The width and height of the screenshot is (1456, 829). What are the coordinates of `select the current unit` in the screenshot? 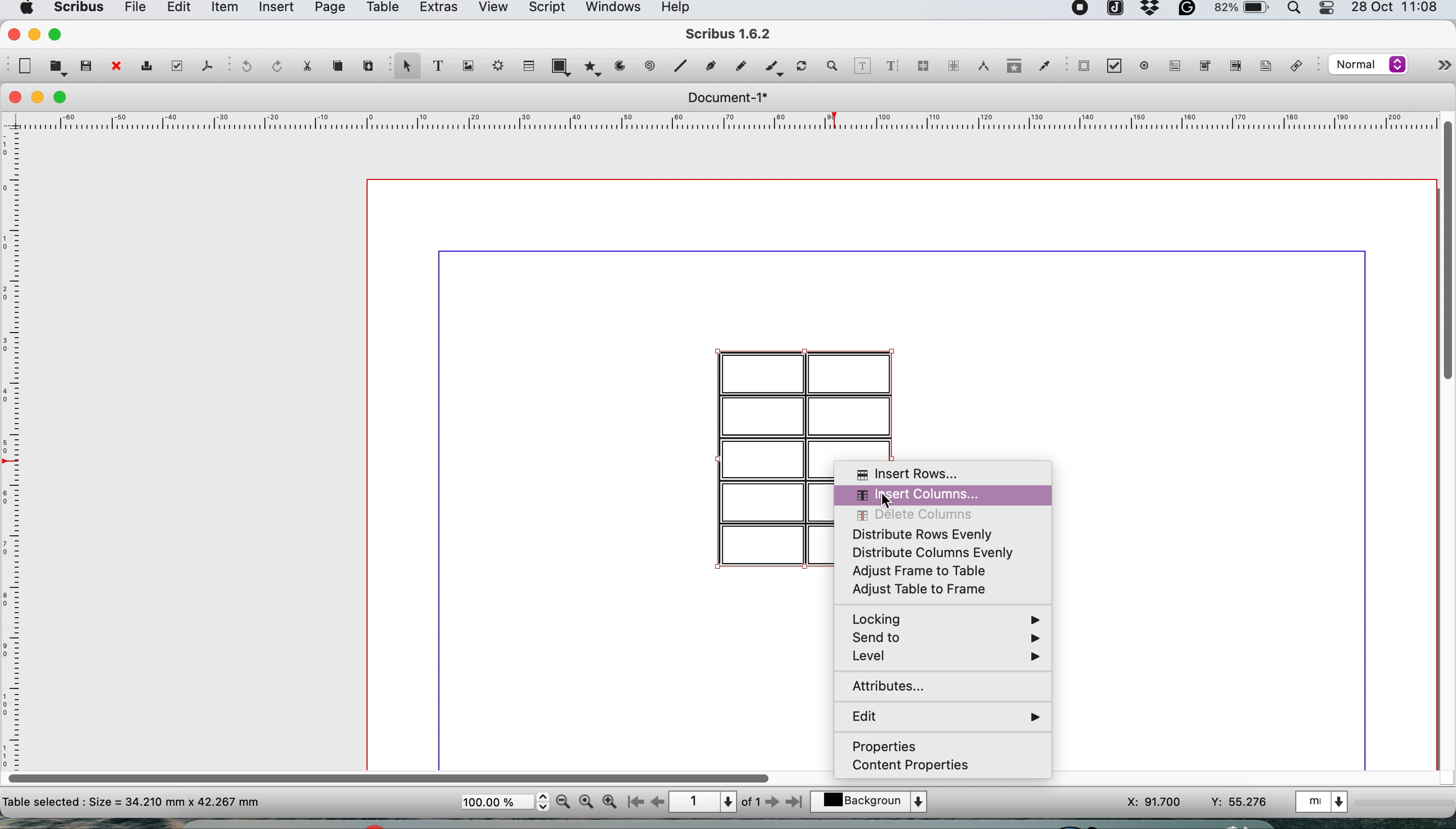 It's located at (1324, 801).